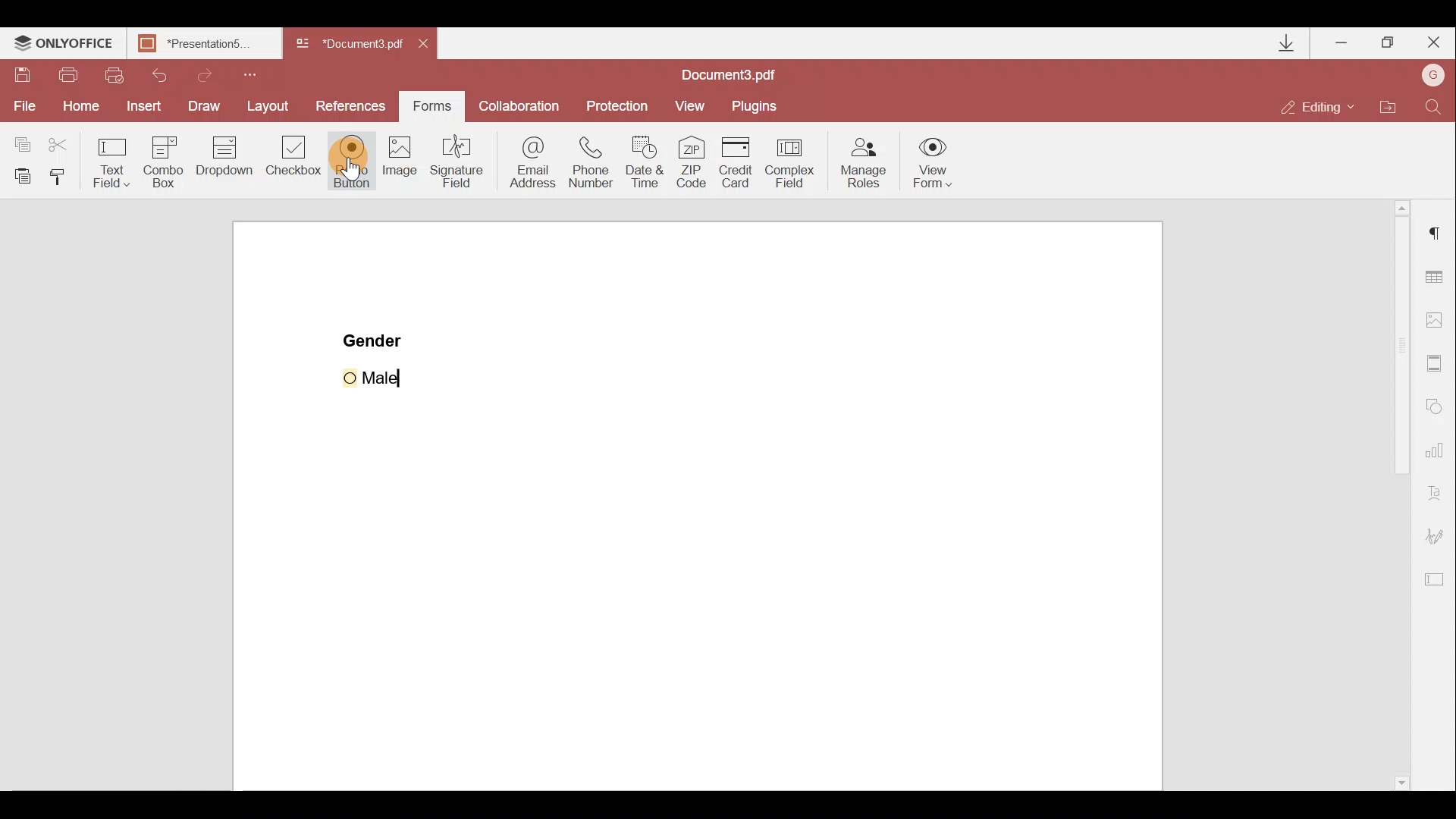  What do you see at coordinates (167, 74) in the screenshot?
I see `Undo` at bounding box center [167, 74].